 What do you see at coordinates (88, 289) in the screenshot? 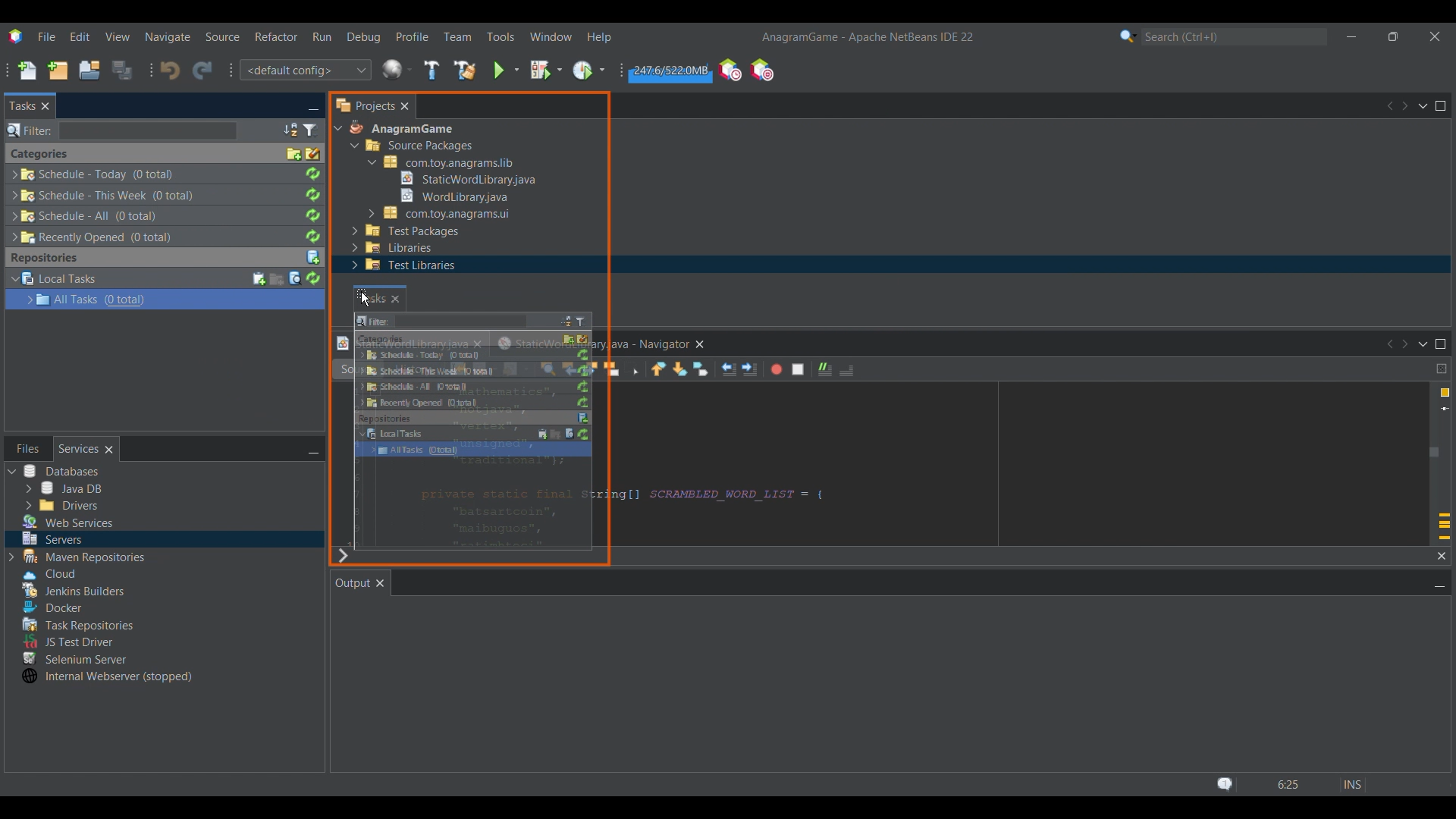
I see `Repository task options` at bounding box center [88, 289].